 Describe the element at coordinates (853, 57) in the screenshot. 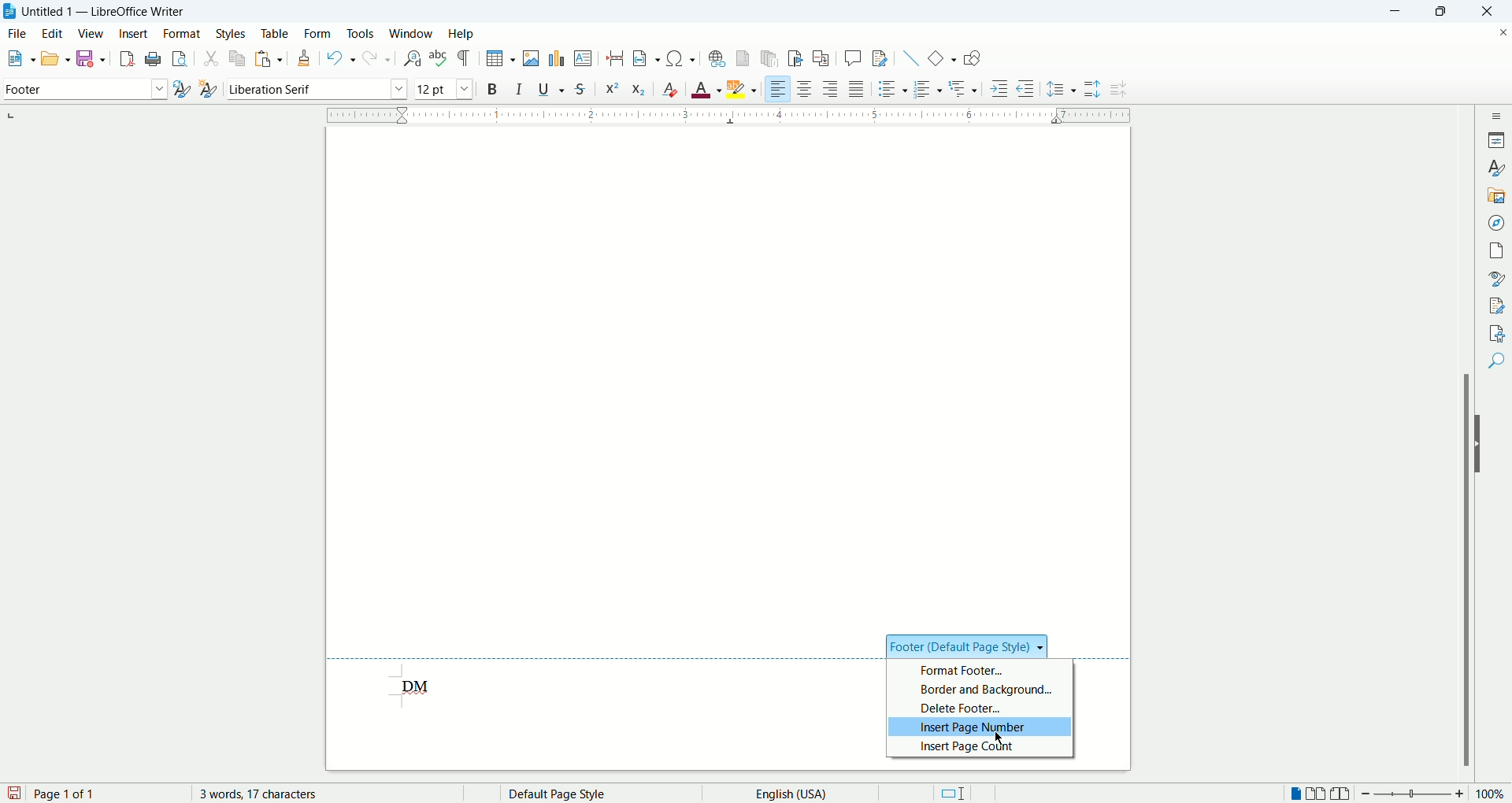

I see `insert comment` at that location.